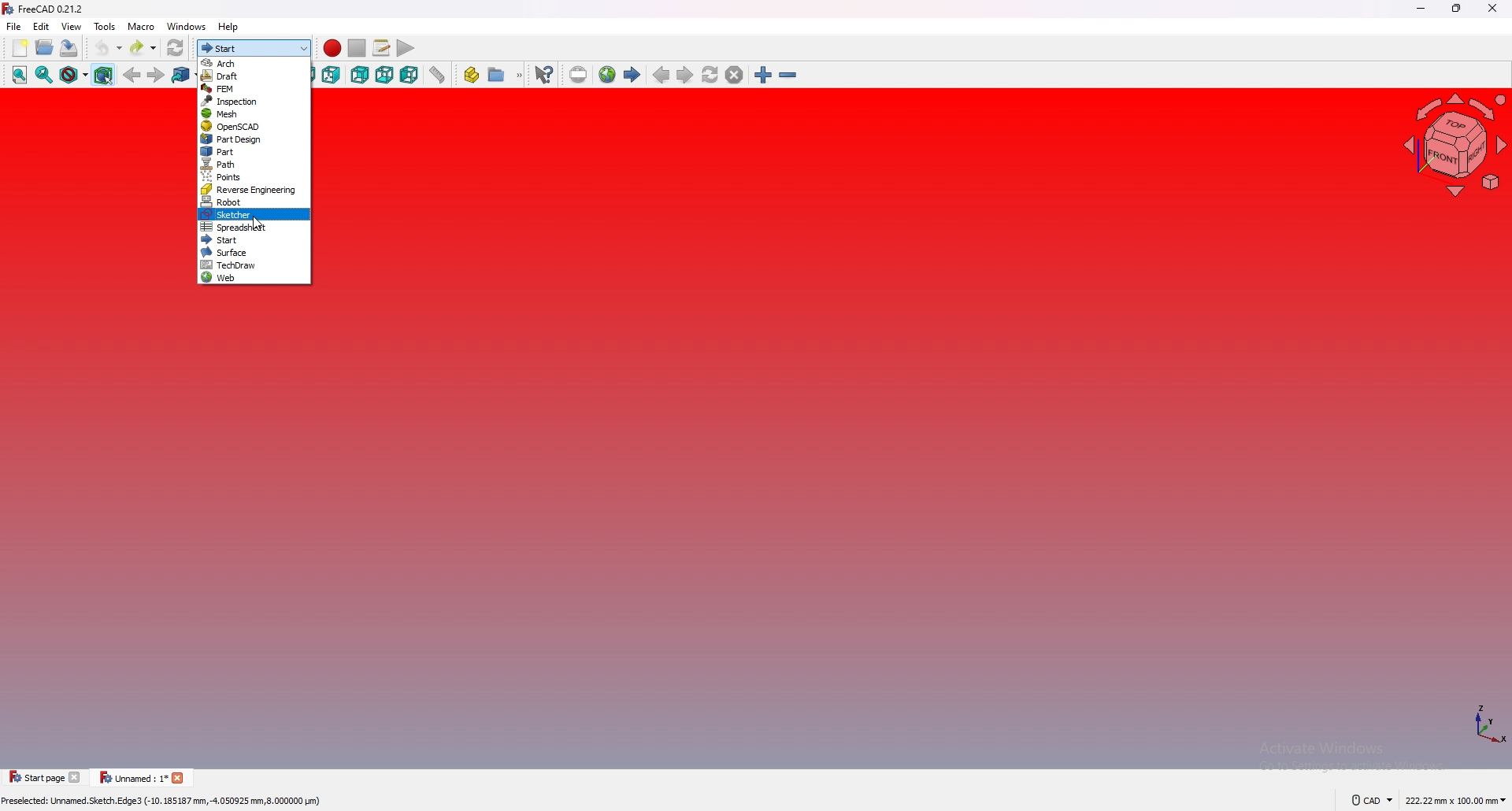 The height and width of the screenshot is (811, 1512). Describe the element at coordinates (254, 113) in the screenshot. I see `mesh` at that location.